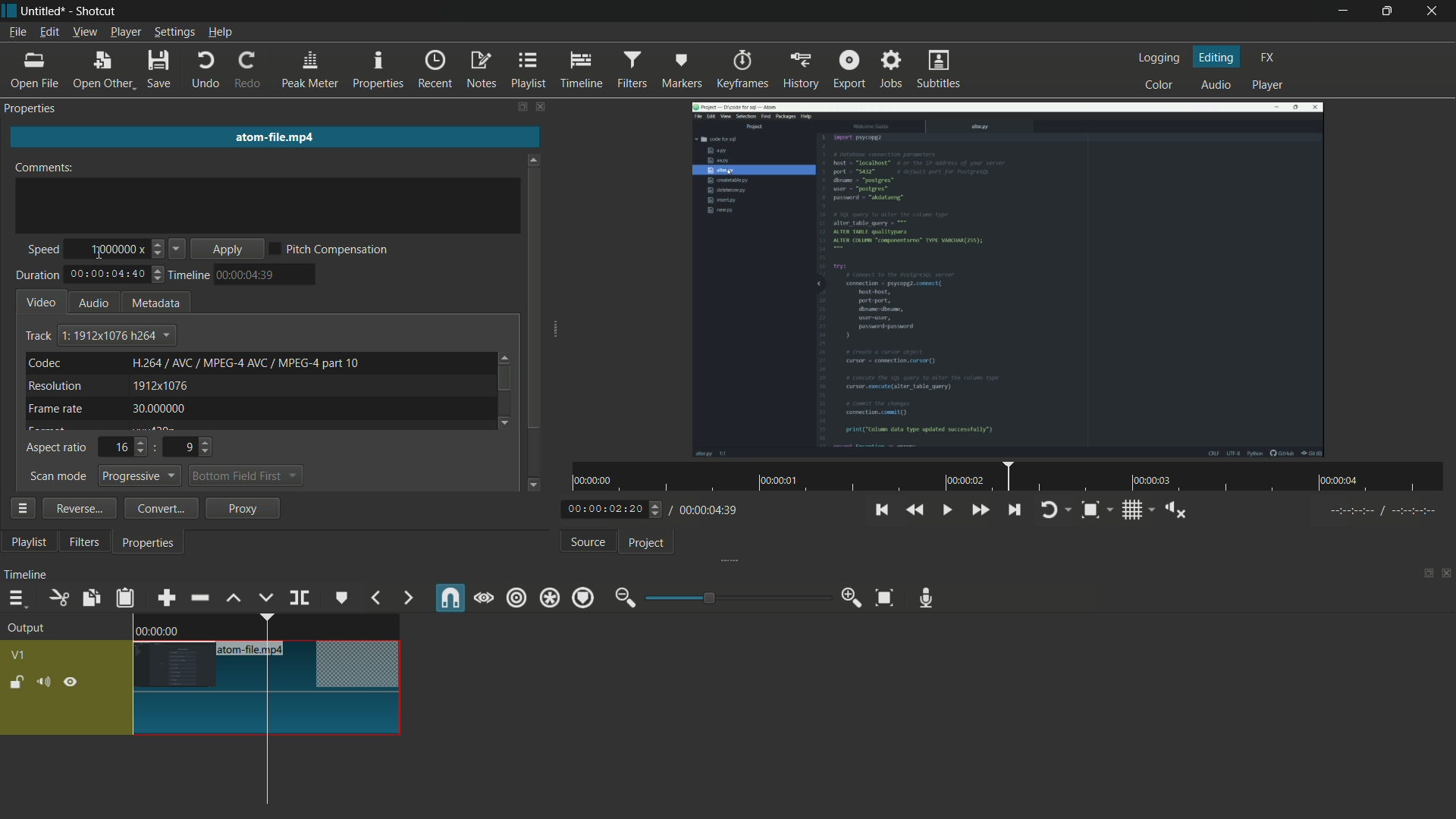  Describe the element at coordinates (161, 385) in the screenshot. I see `1912` at that location.